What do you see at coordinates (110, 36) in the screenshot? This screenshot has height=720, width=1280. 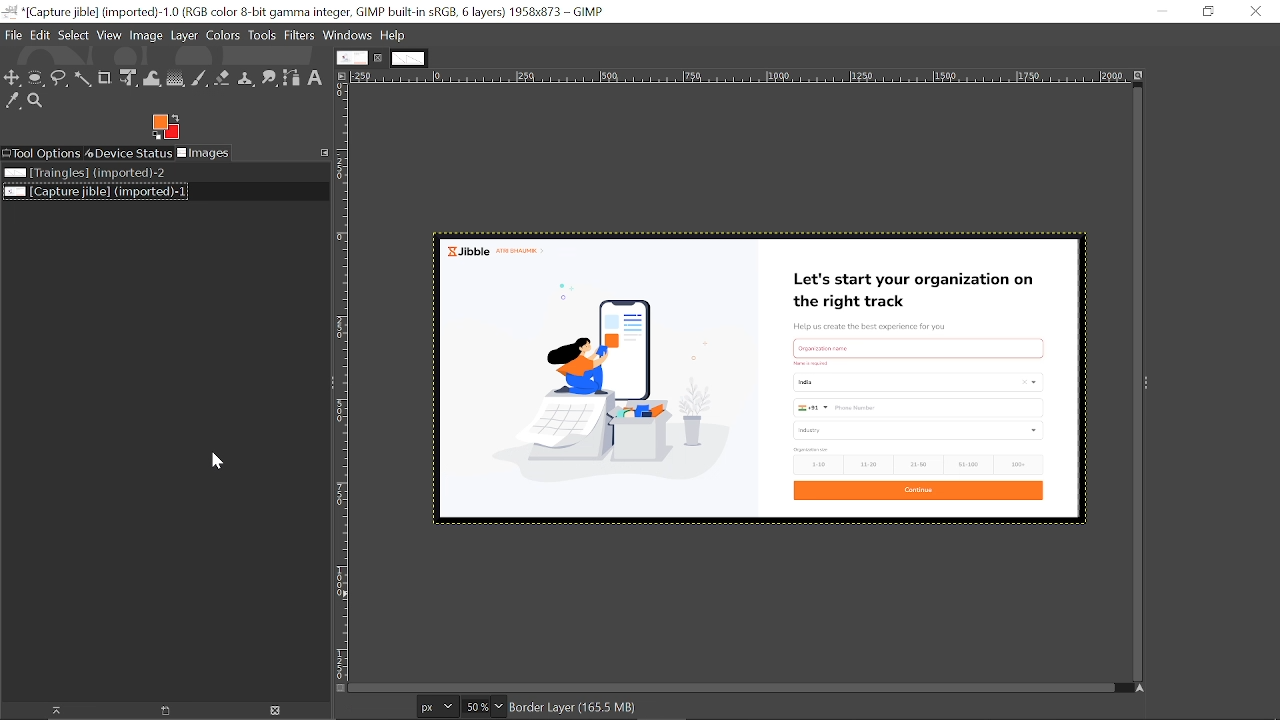 I see `View` at bounding box center [110, 36].